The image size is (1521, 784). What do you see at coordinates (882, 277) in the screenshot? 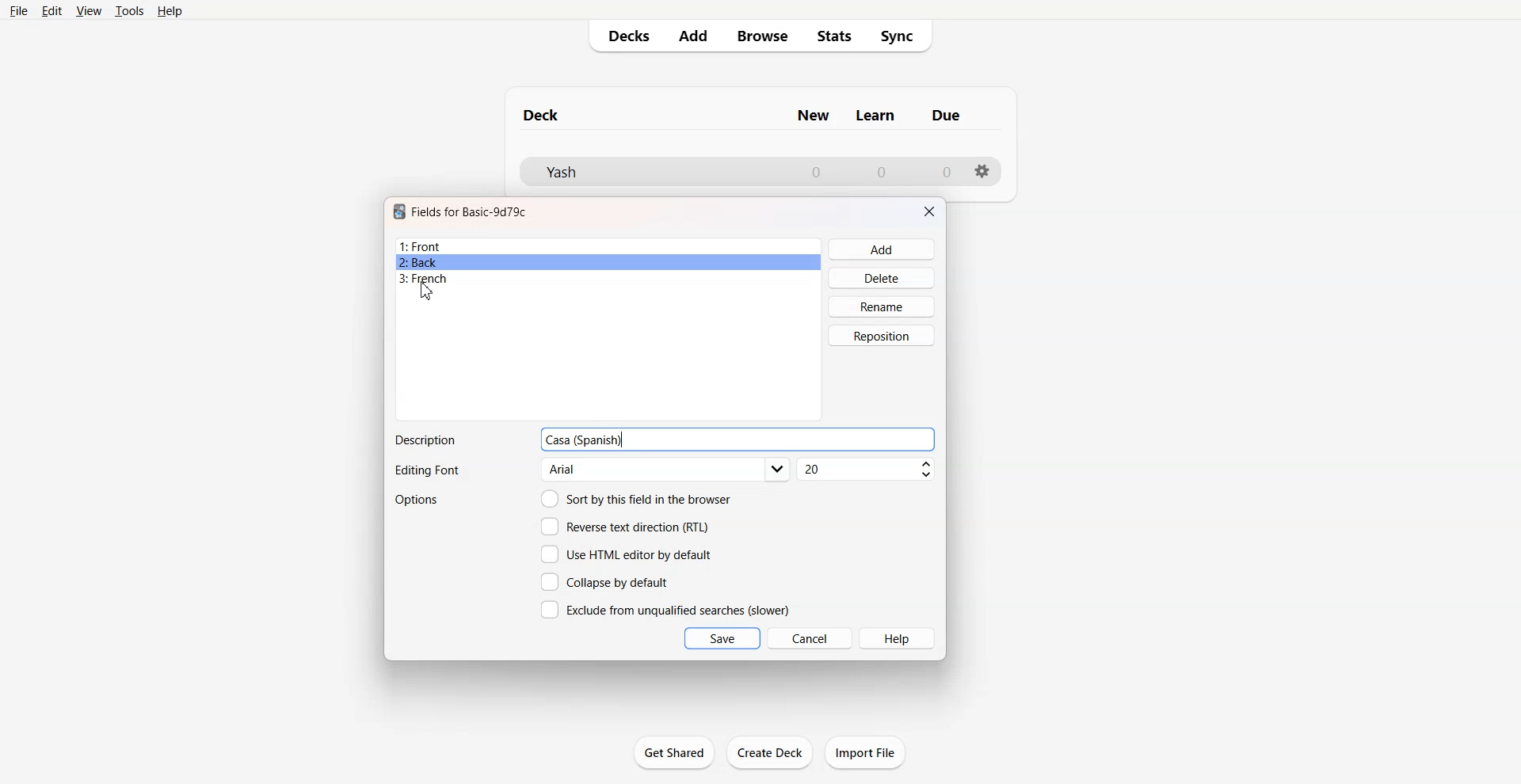
I see `Delete` at bounding box center [882, 277].